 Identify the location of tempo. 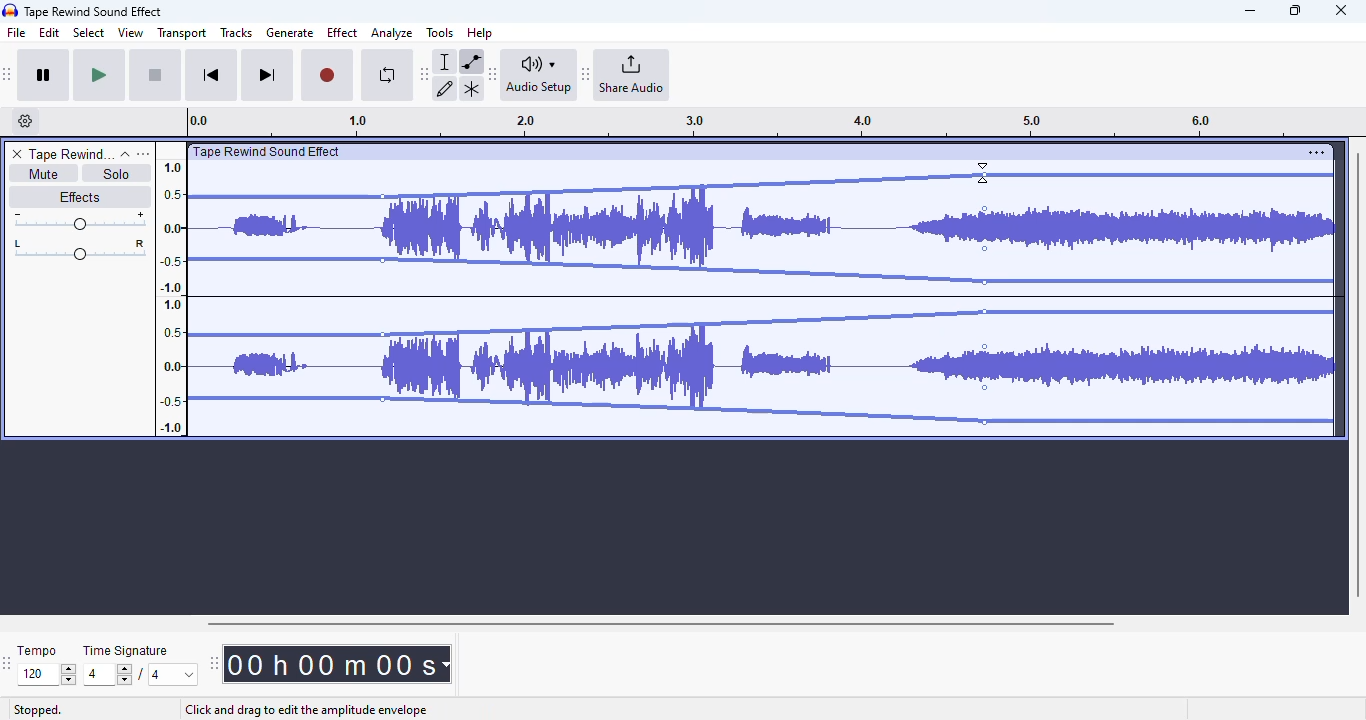
(37, 650).